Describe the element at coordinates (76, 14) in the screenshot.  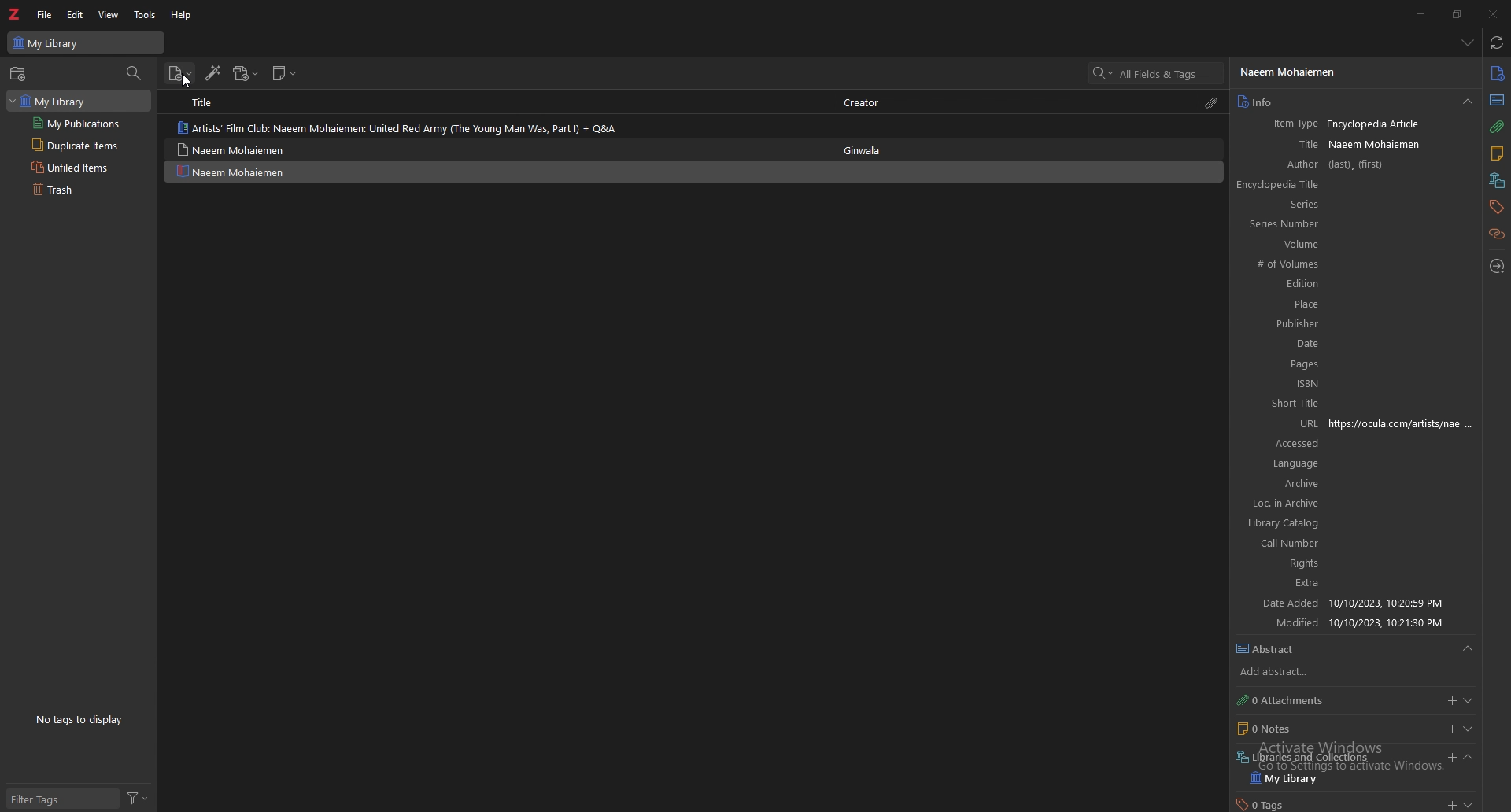
I see `edit` at that location.